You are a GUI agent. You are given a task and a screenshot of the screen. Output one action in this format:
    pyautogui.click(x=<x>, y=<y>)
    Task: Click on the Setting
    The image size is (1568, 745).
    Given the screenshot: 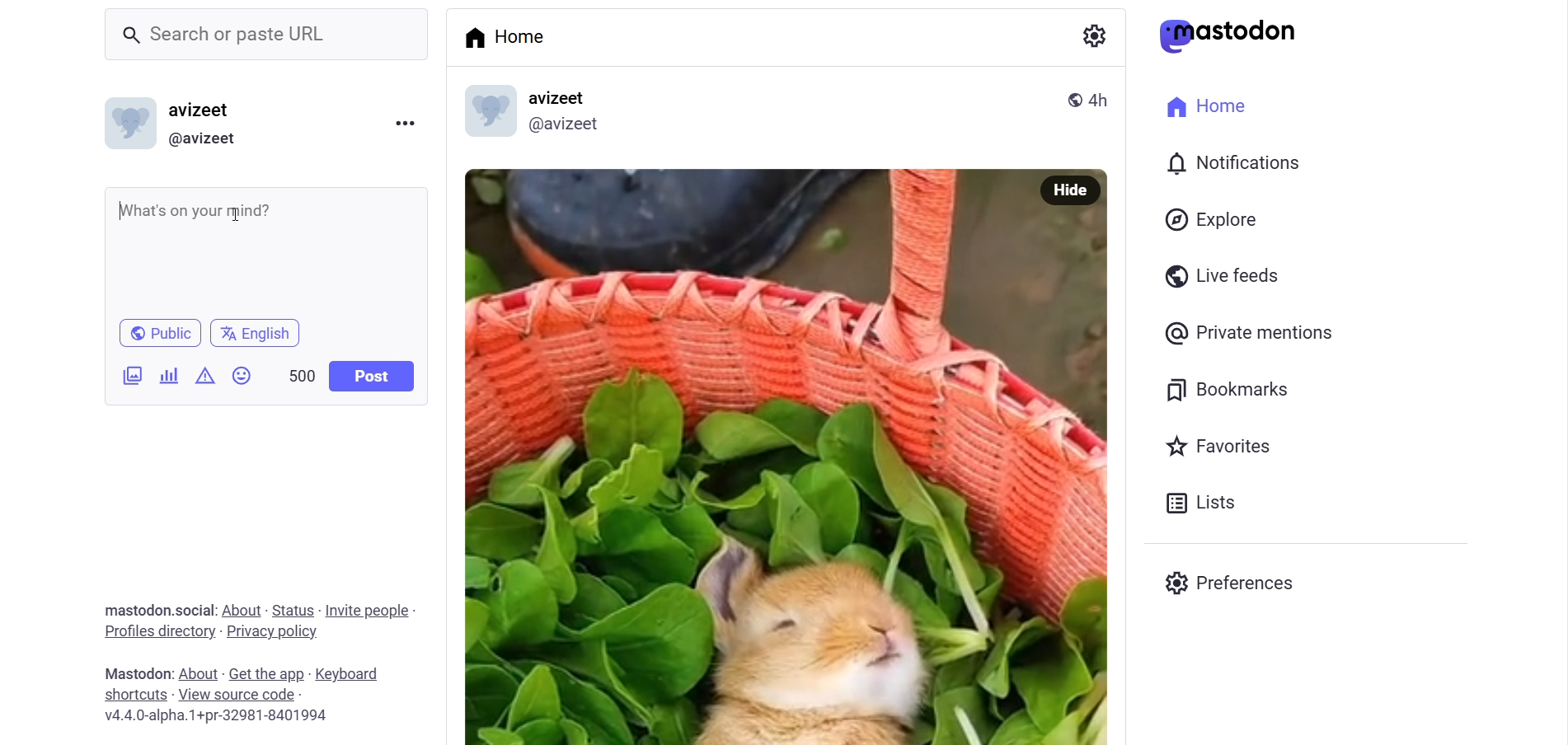 What is the action you would take?
    pyautogui.click(x=1094, y=35)
    